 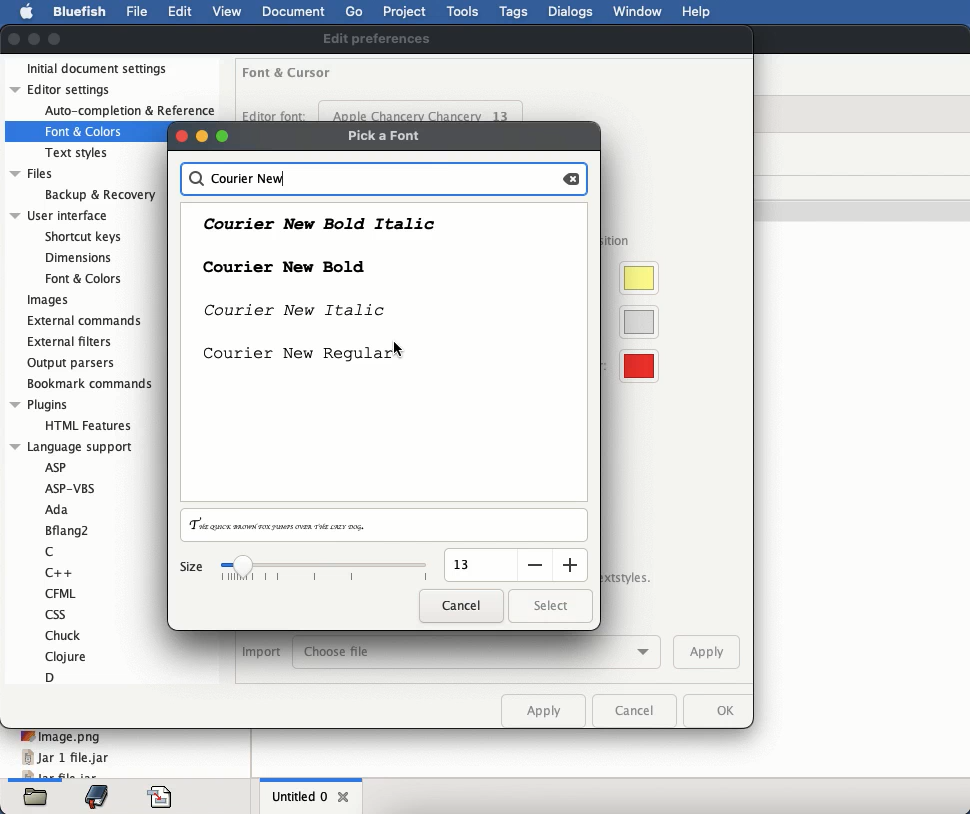 What do you see at coordinates (516, 564) in the screenshot?
I see `input` at bounding box center [516, 564].